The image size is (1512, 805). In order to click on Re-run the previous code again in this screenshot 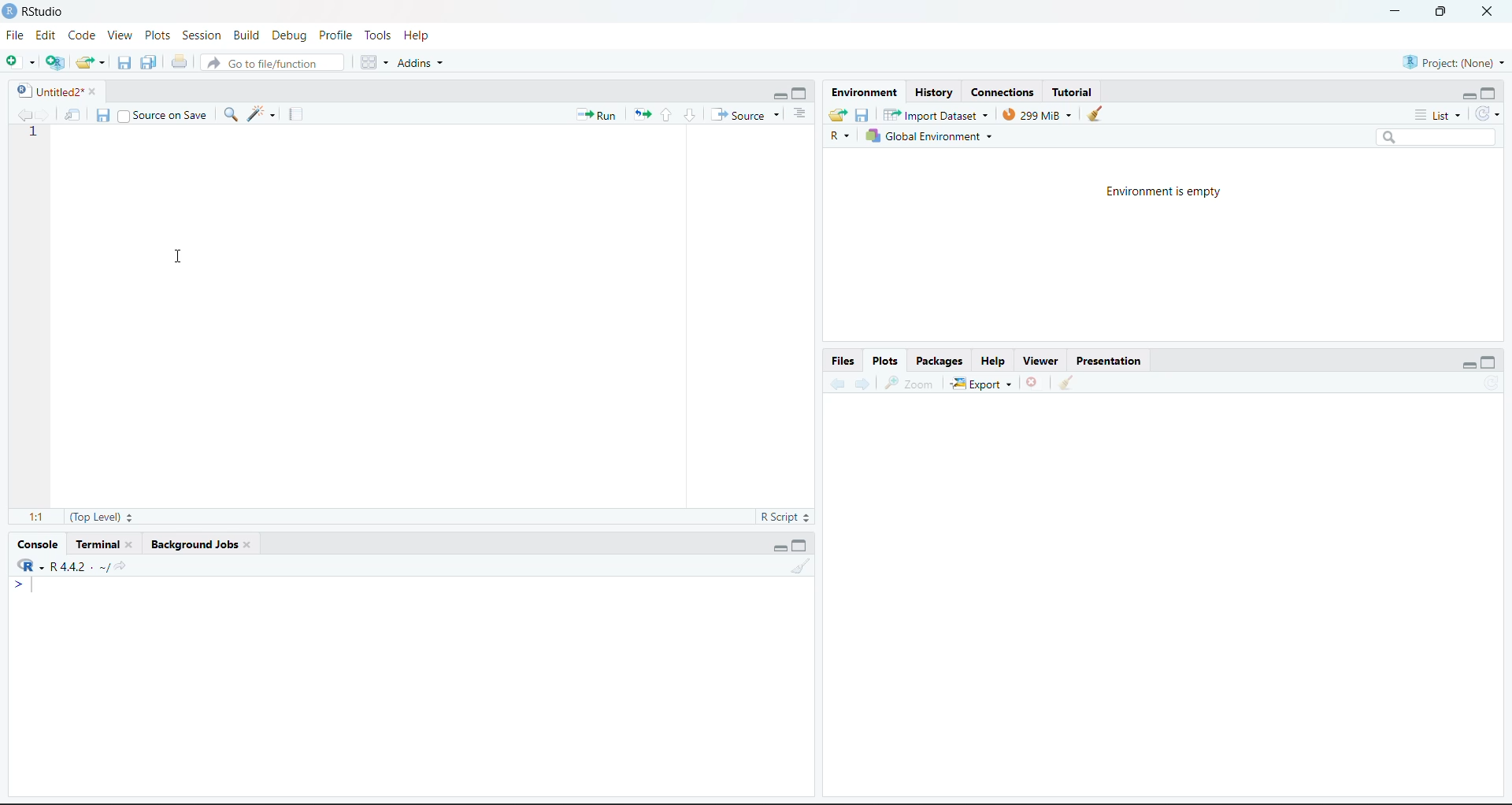, I will do `click(639, 113)`.